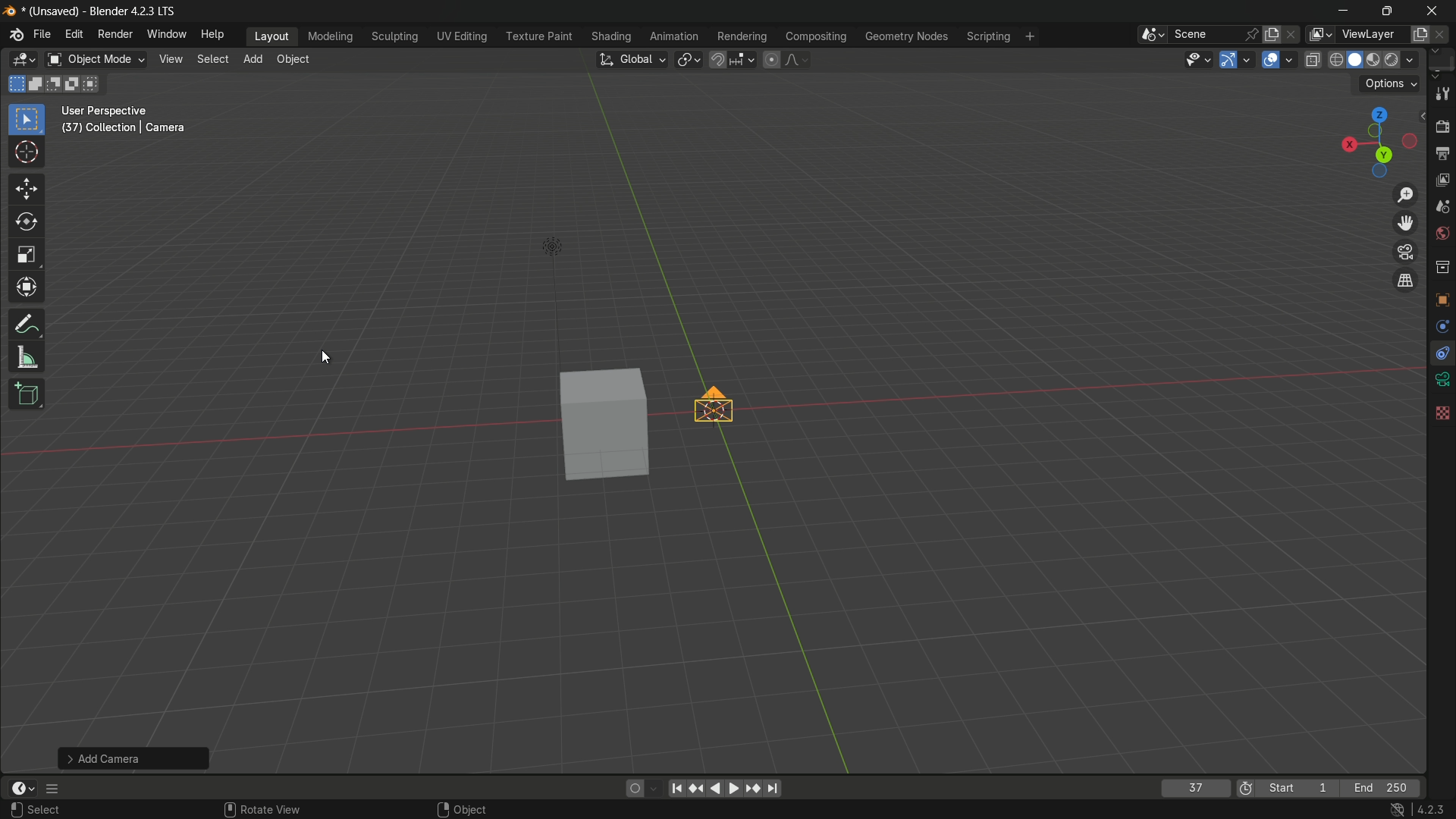  What do you see at coordinates (210, 58) in the screenshot?
I see `select` at bounding box center [210, 58].